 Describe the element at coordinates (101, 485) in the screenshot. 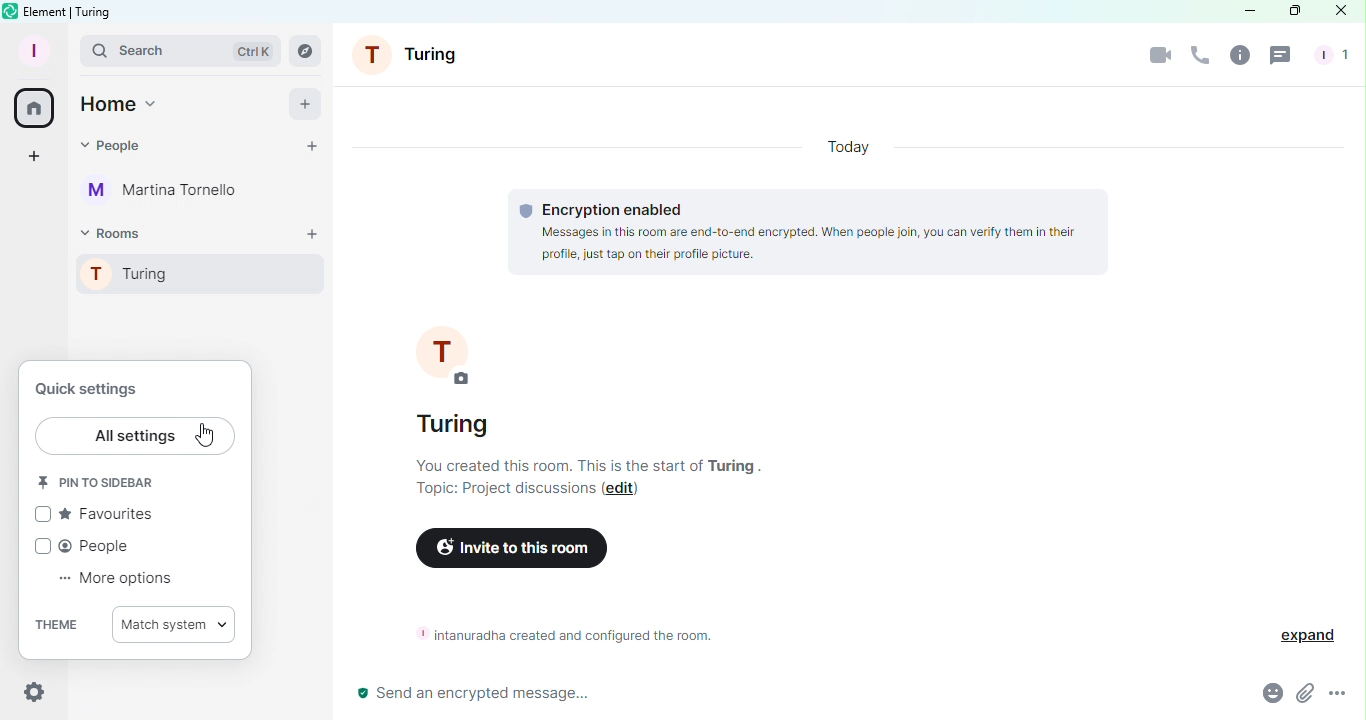

I see `Pin to sidebar` at that location.